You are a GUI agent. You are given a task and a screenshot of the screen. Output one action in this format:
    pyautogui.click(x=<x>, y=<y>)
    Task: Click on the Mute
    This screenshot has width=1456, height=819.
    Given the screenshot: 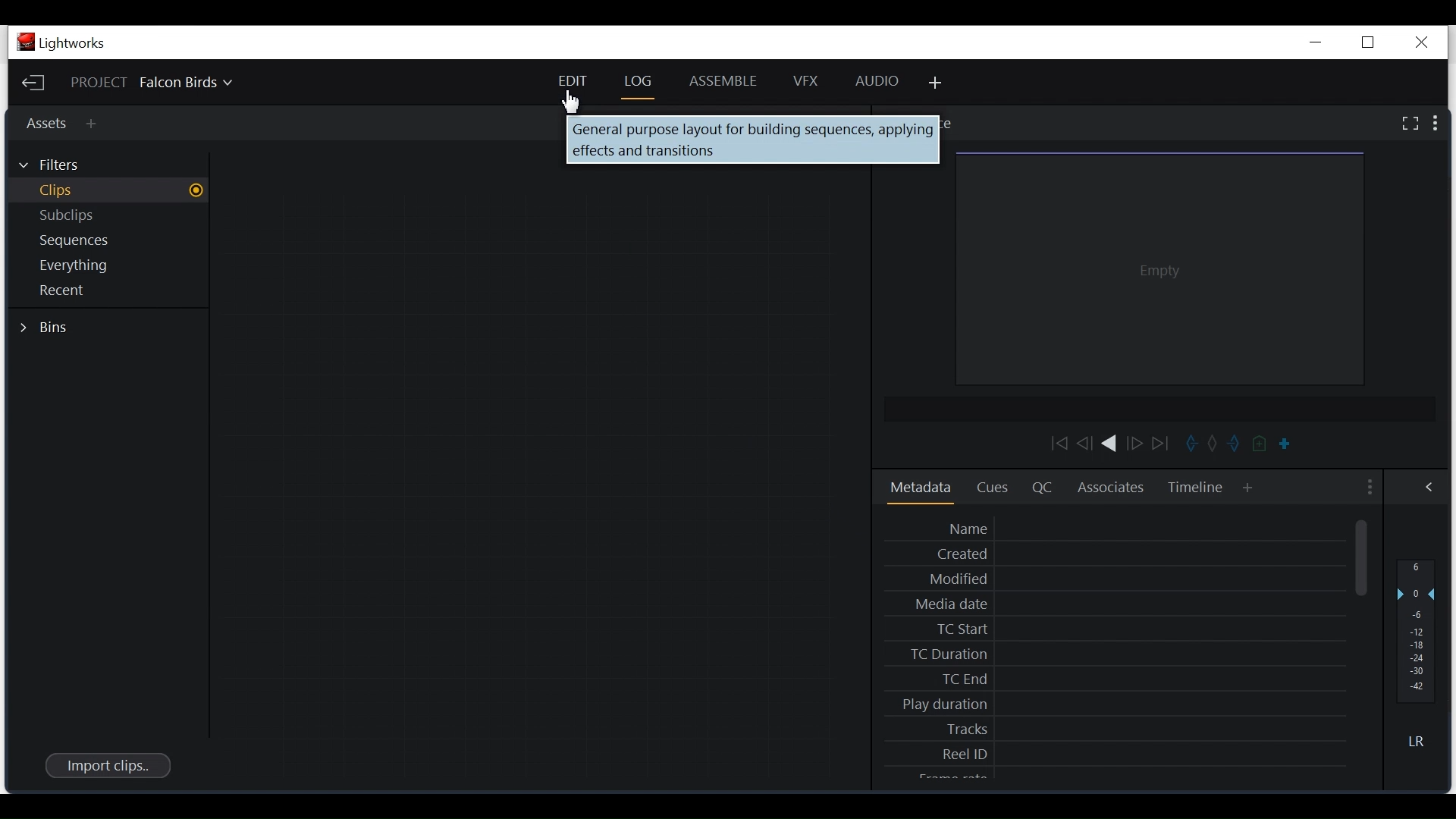 What is the action you would take?
    pyautogui.click(x=1417, y=741)
    